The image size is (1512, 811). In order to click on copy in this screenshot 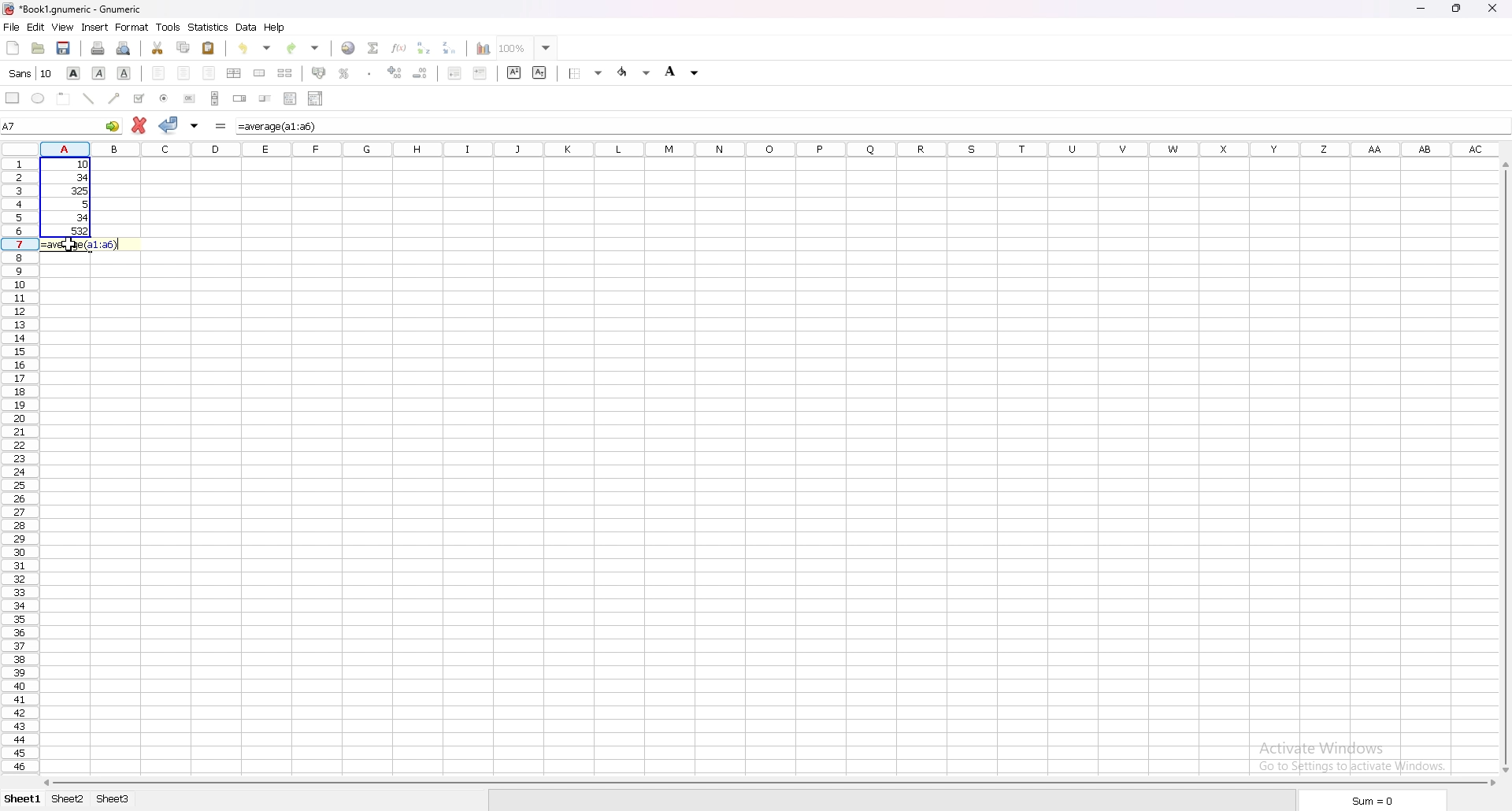, I will do `click(184, 46)`.